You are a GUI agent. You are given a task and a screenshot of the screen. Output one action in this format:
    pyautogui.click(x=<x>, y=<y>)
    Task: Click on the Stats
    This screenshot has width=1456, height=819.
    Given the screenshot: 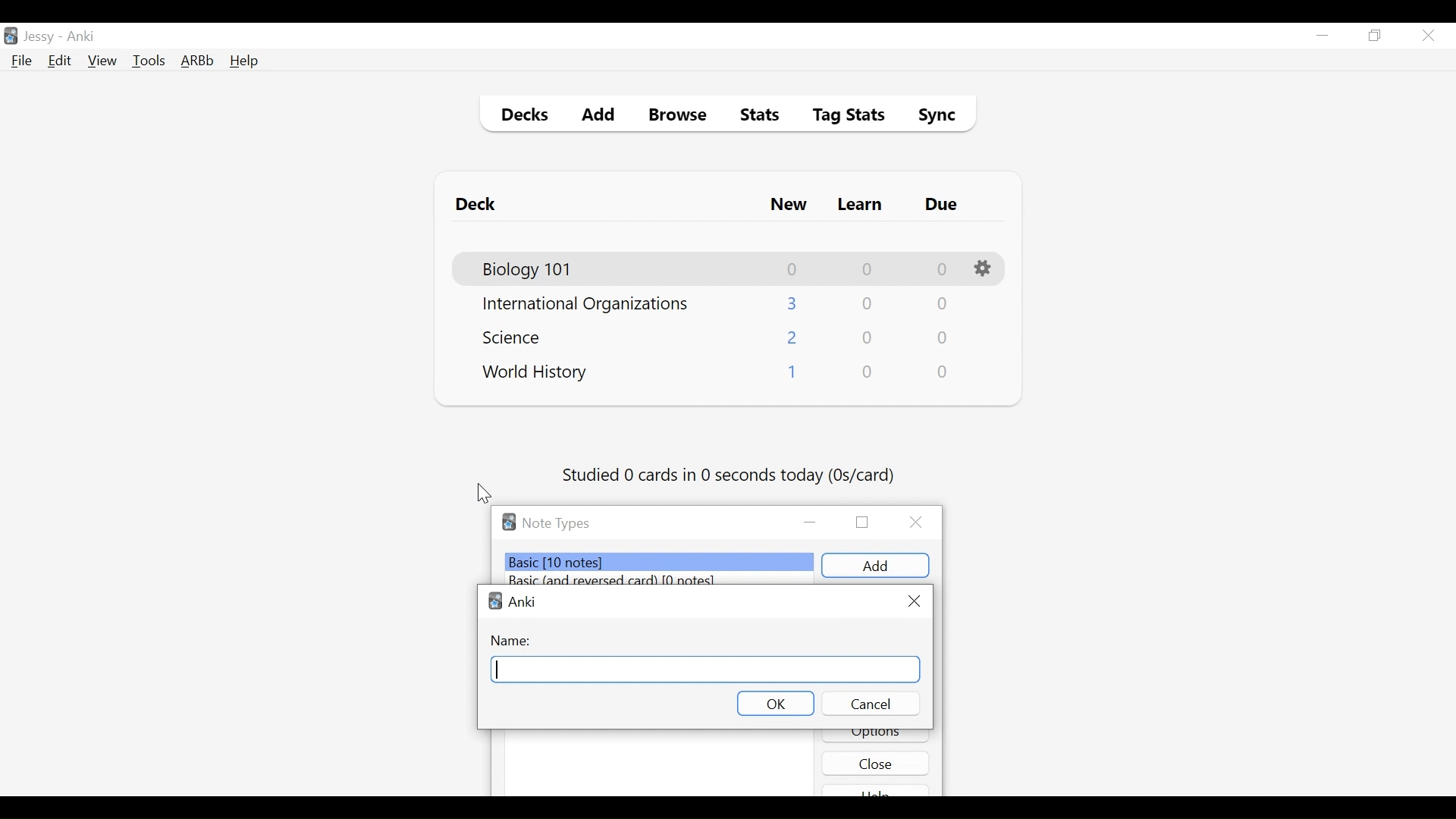 What is the action you would take?
    pyautogui.click(x=755, y=115)
    